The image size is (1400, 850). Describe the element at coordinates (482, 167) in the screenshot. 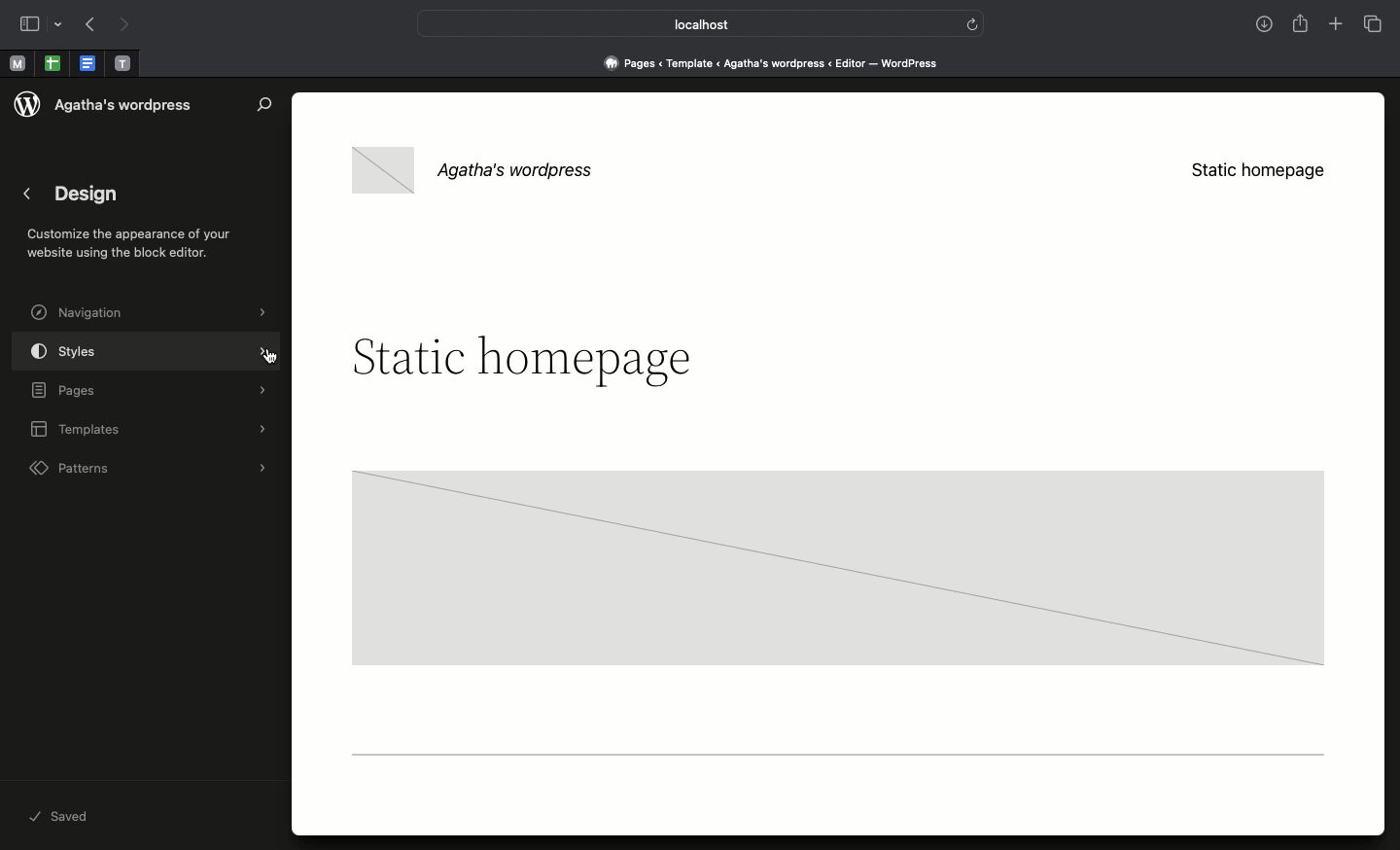

I see `Wordpress name` at that location.